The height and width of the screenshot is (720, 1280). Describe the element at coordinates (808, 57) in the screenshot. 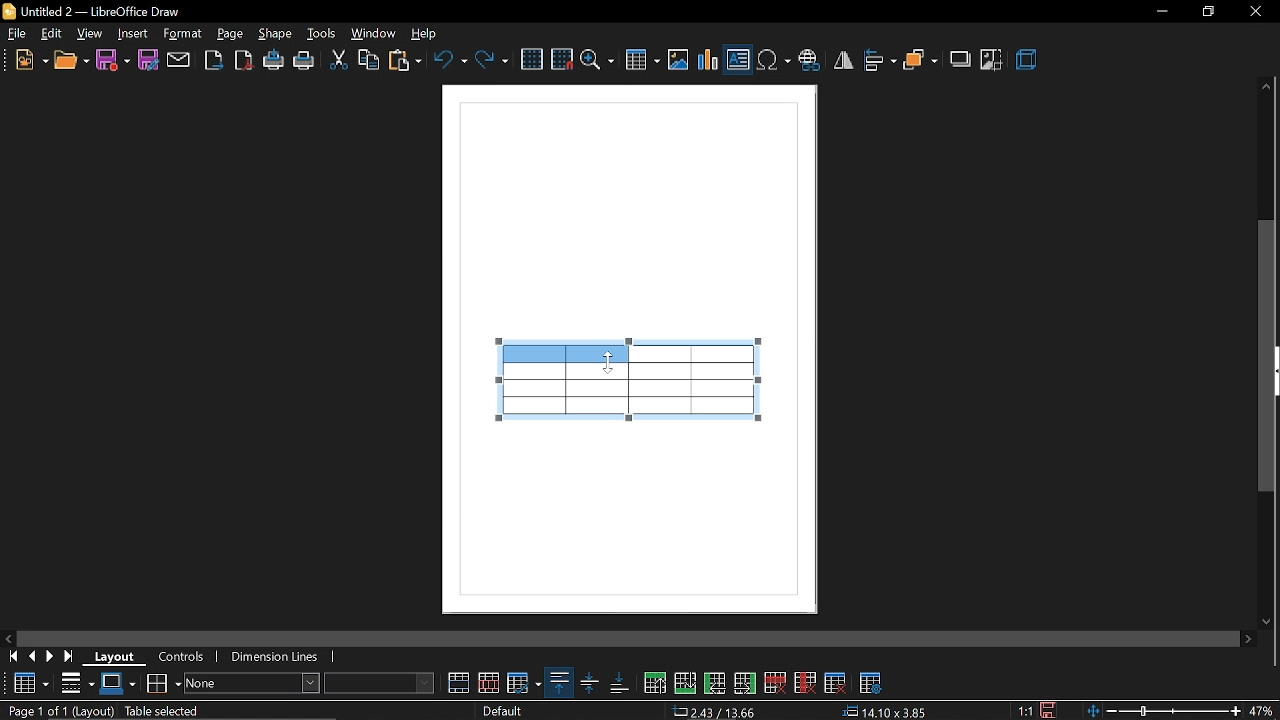

I see `insert hyperlink` at that location.